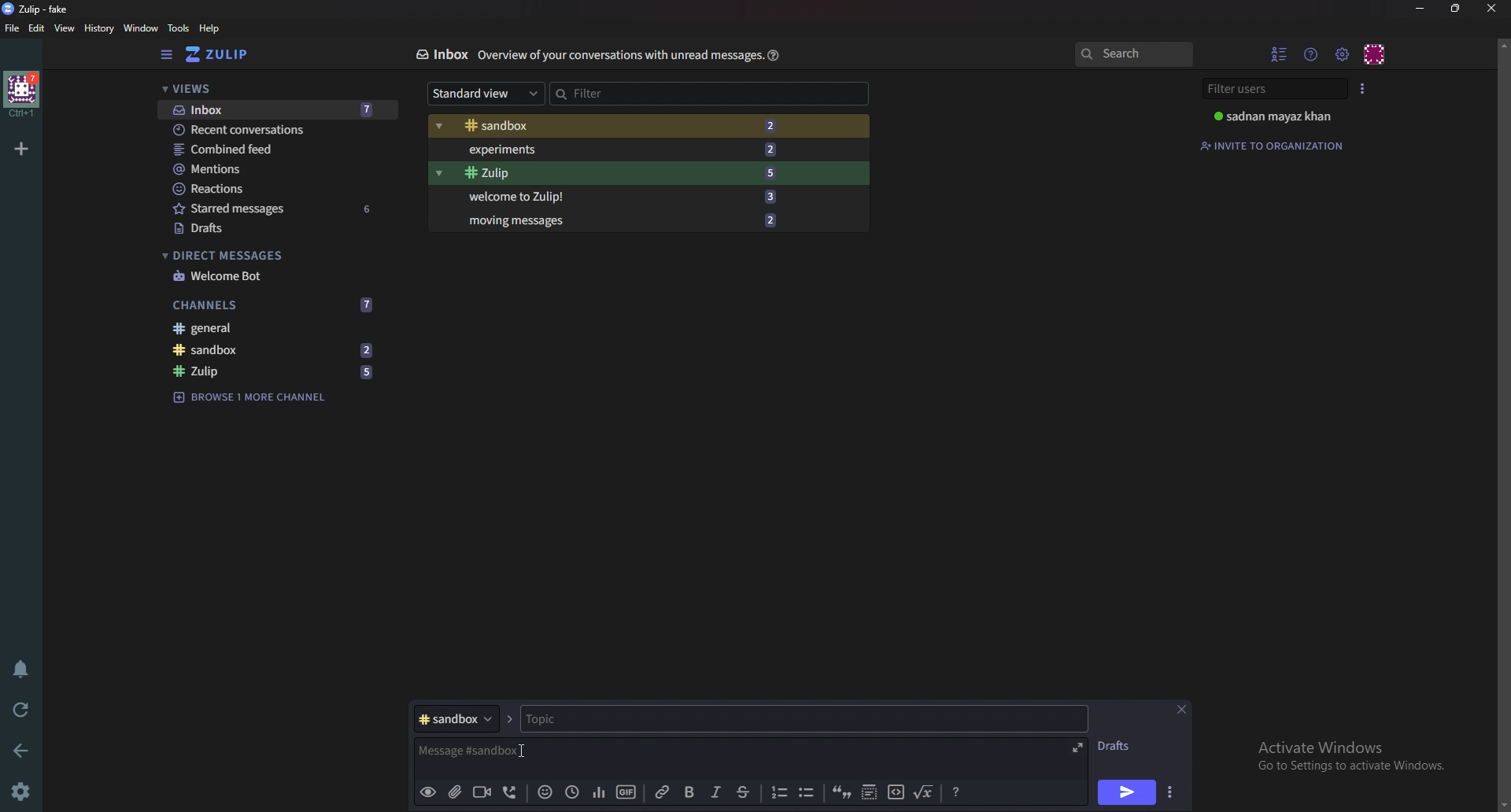 The height and width of the screenshot is (812, 1511). I want to click on Expand, so click(1076, 746).